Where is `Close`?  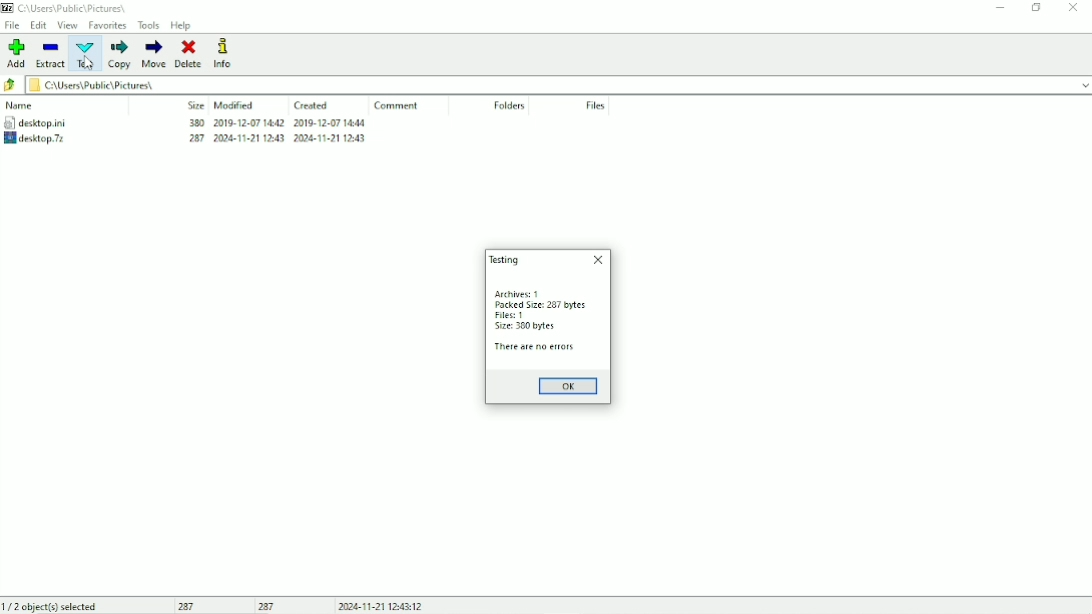
Close is located at coordinates (598, 260).